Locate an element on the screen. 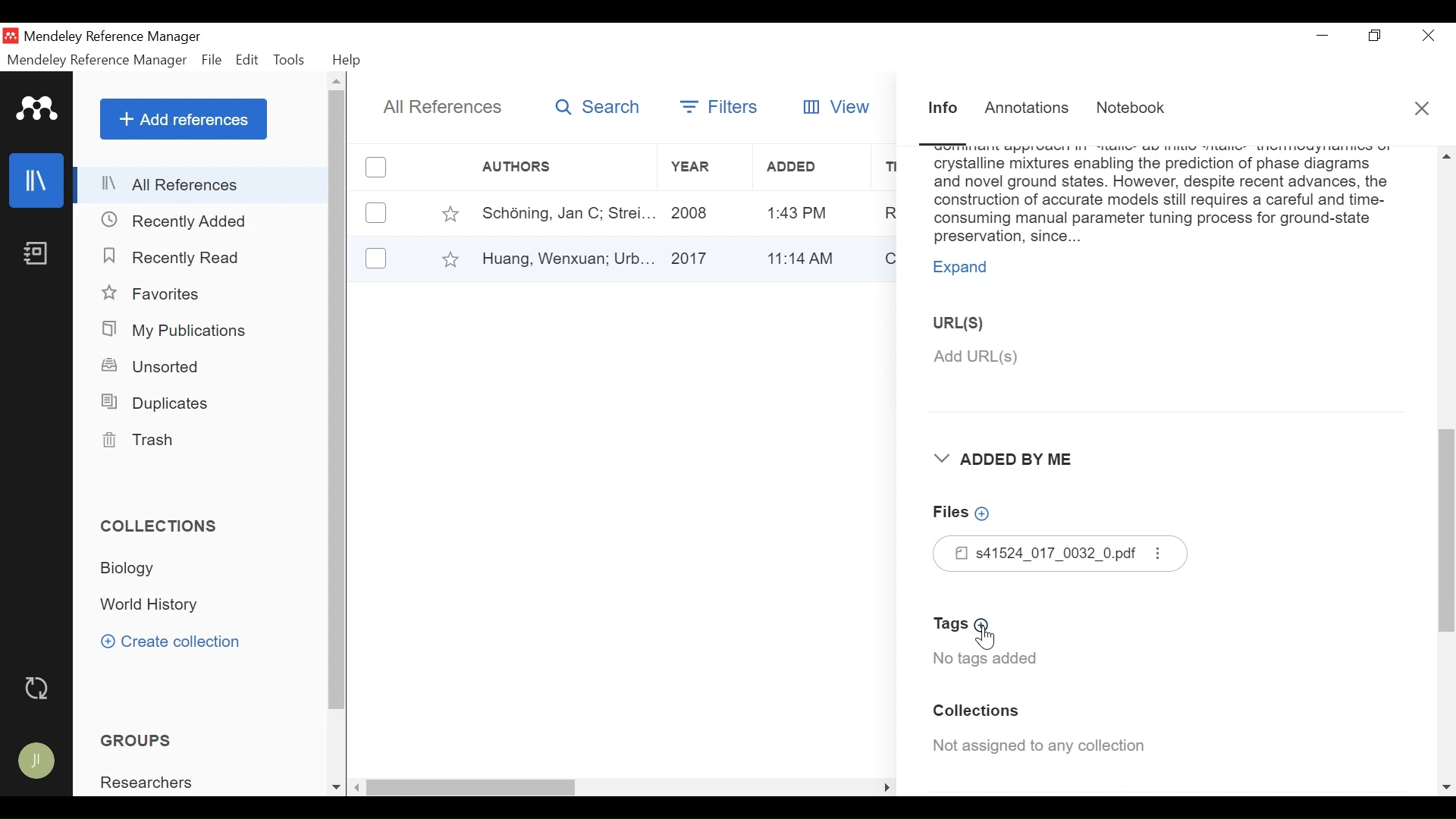  Added By Me is located at coordinates (1013, 460).